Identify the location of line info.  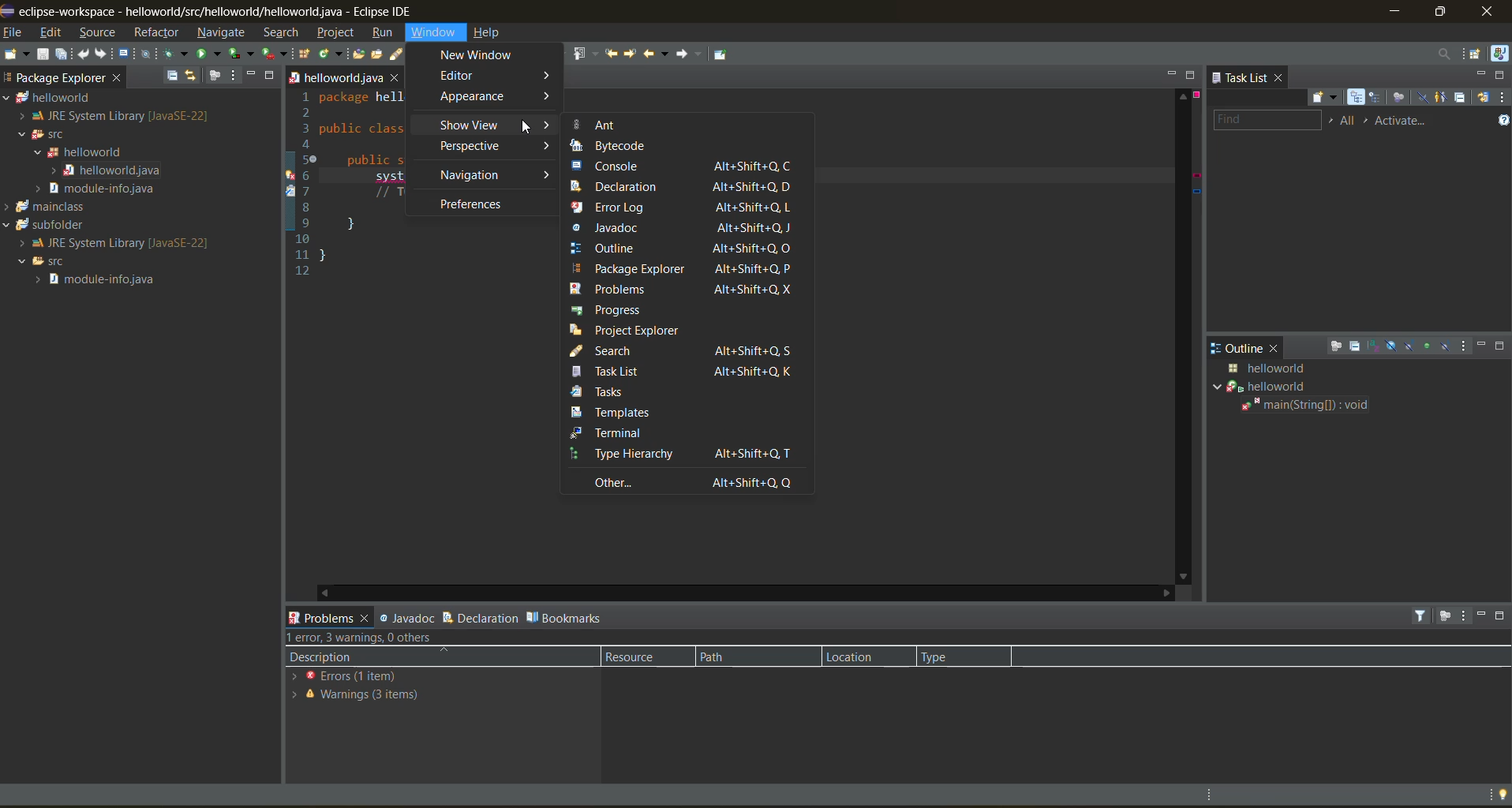
(283, 189).